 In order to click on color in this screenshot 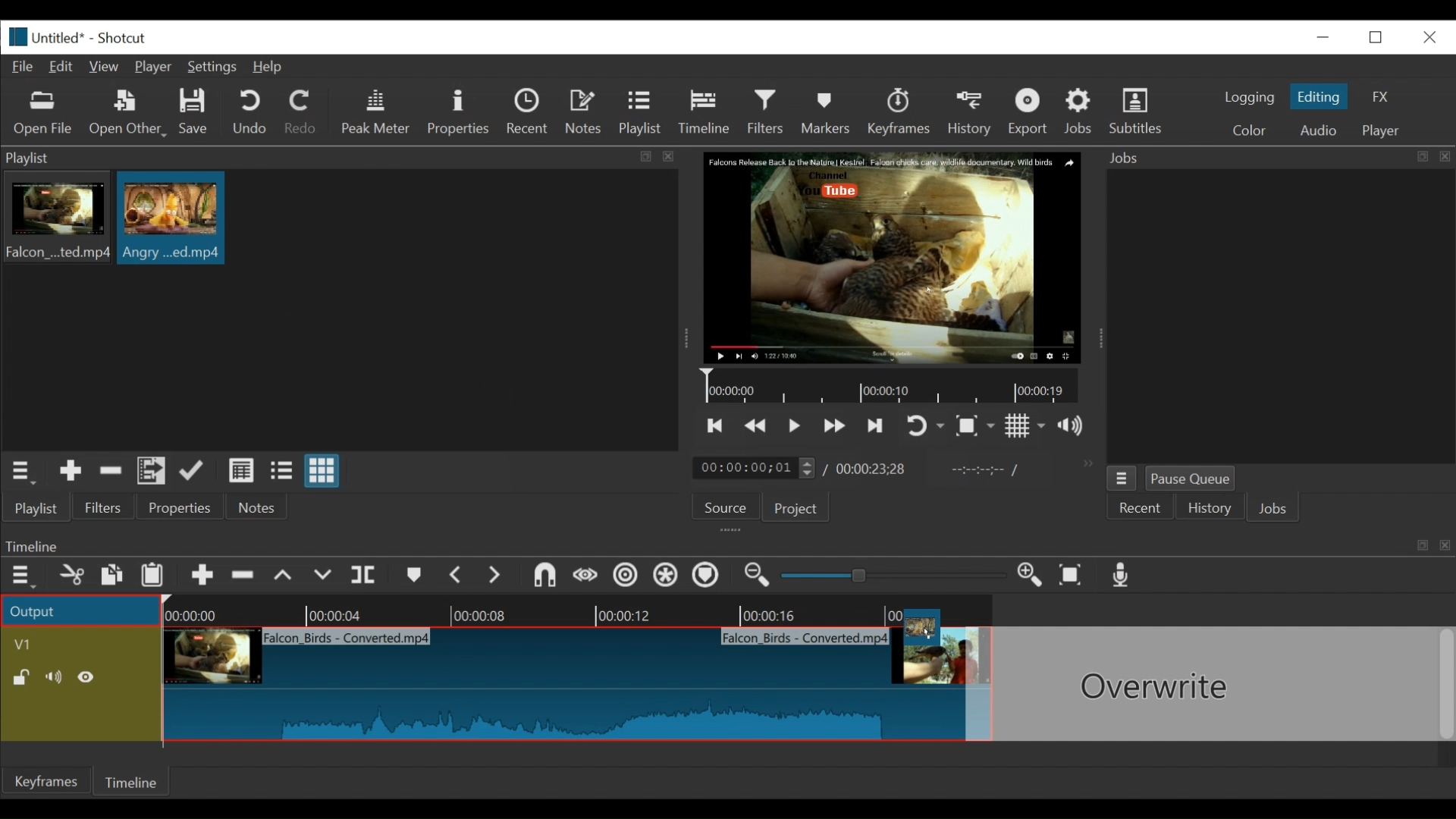, I will do `click(1248, 132)`.